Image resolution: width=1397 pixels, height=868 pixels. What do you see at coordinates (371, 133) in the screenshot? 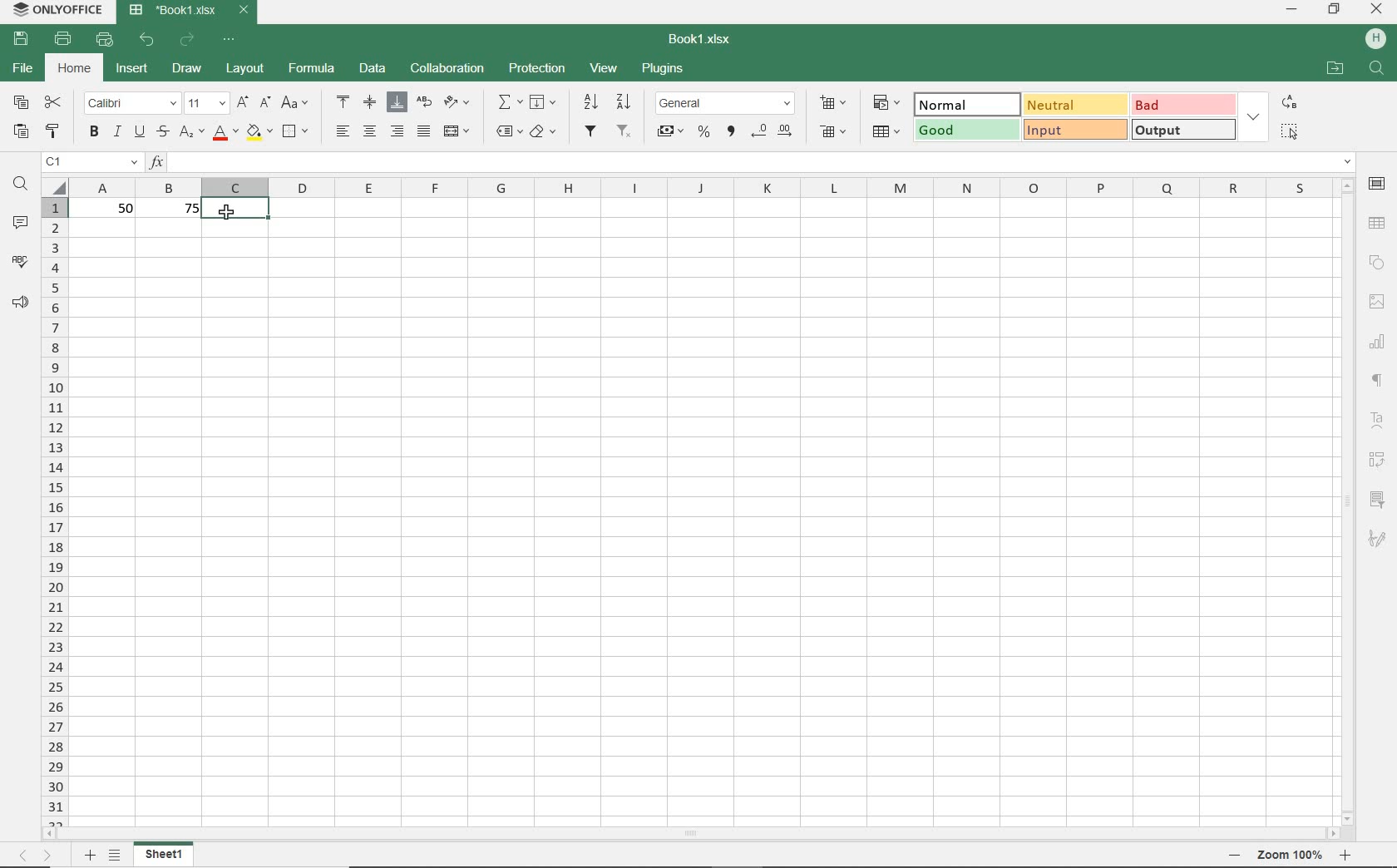
I see `align center` at bounding box center [371, 133].